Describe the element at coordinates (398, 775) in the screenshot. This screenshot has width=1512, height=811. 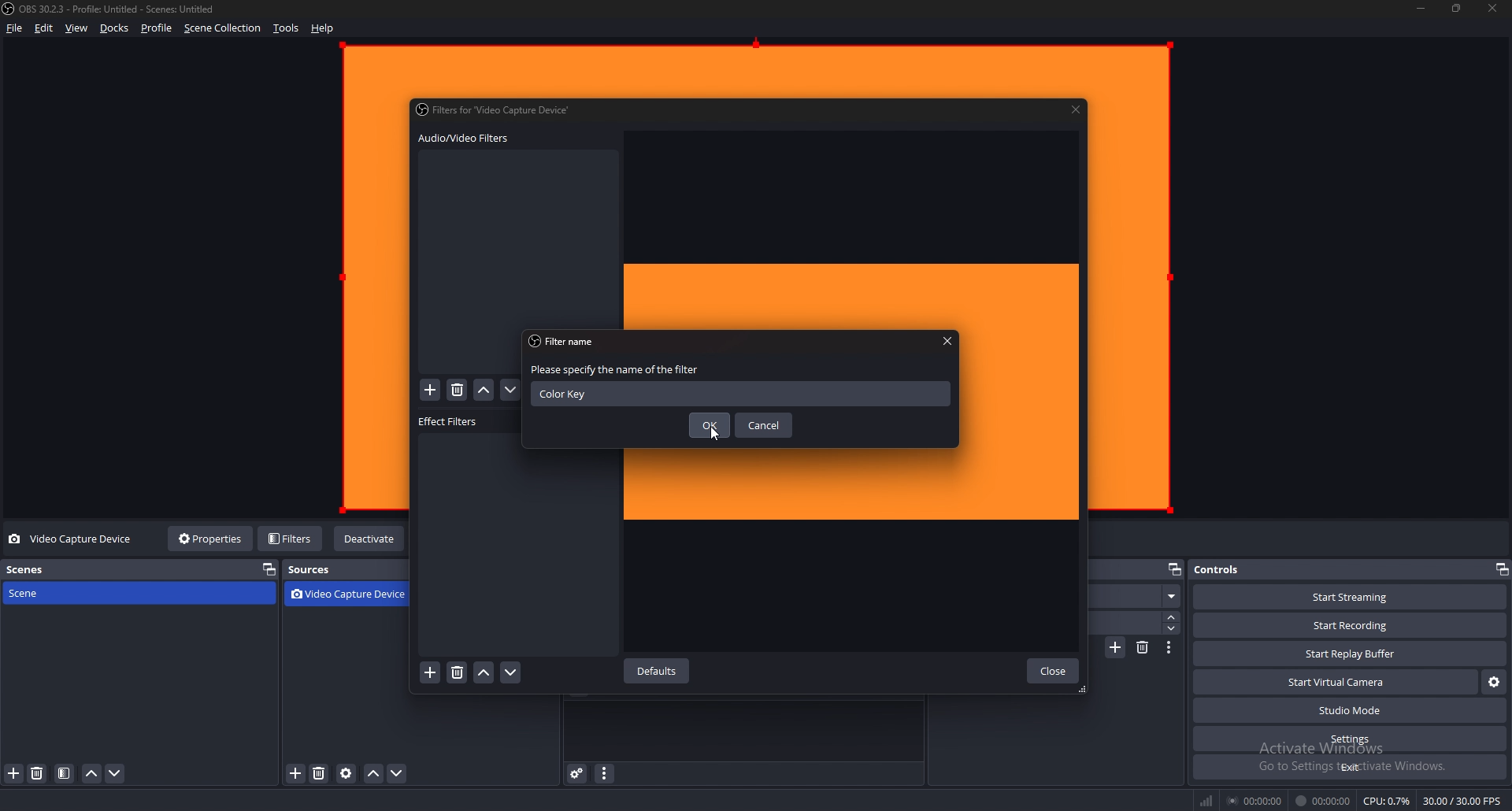
I see `move source down` at that location.